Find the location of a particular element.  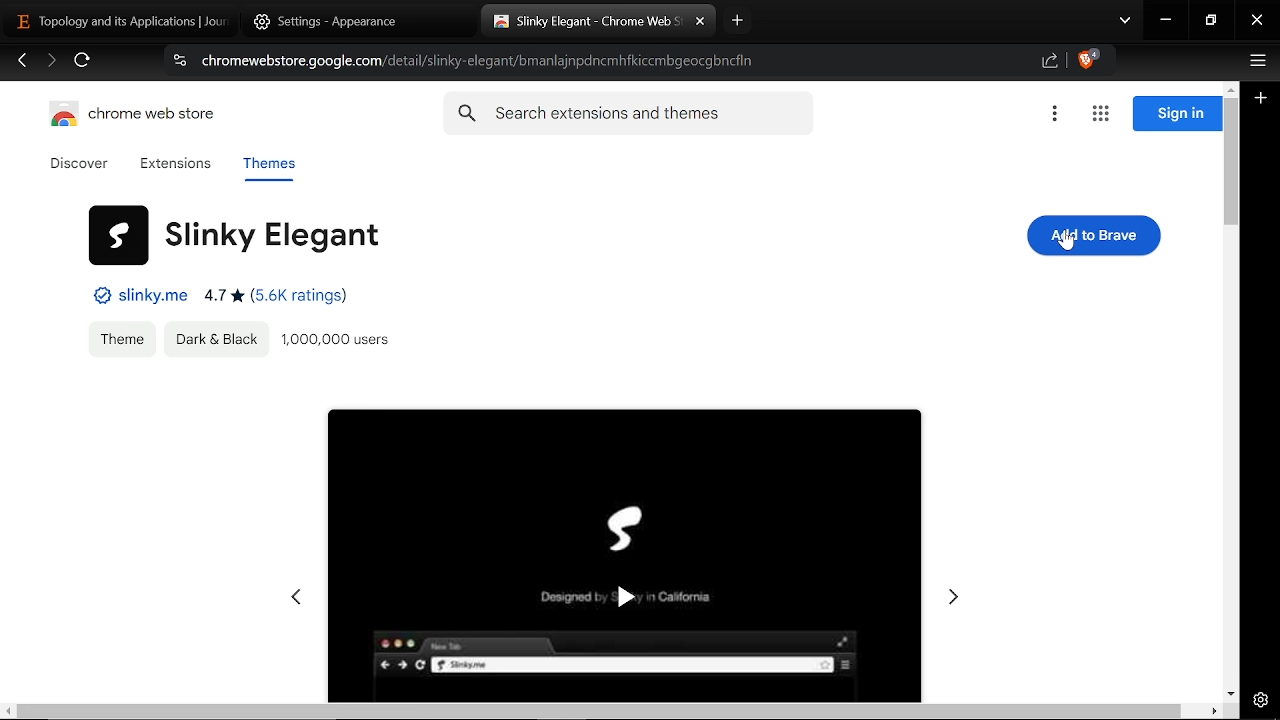

Theme name is located at coordinates (234, 233).